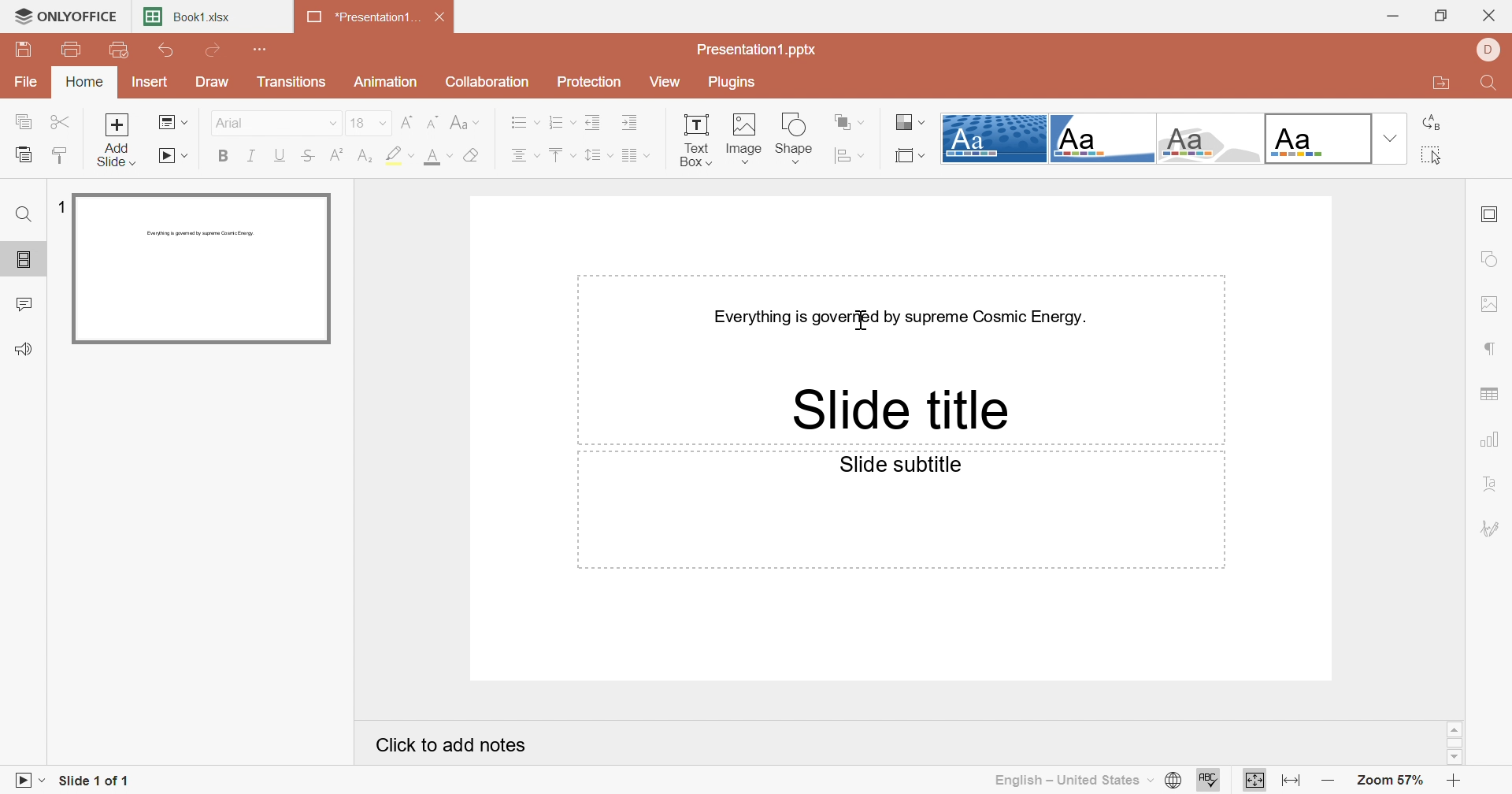  I want to click on 1, so click(59, 206).